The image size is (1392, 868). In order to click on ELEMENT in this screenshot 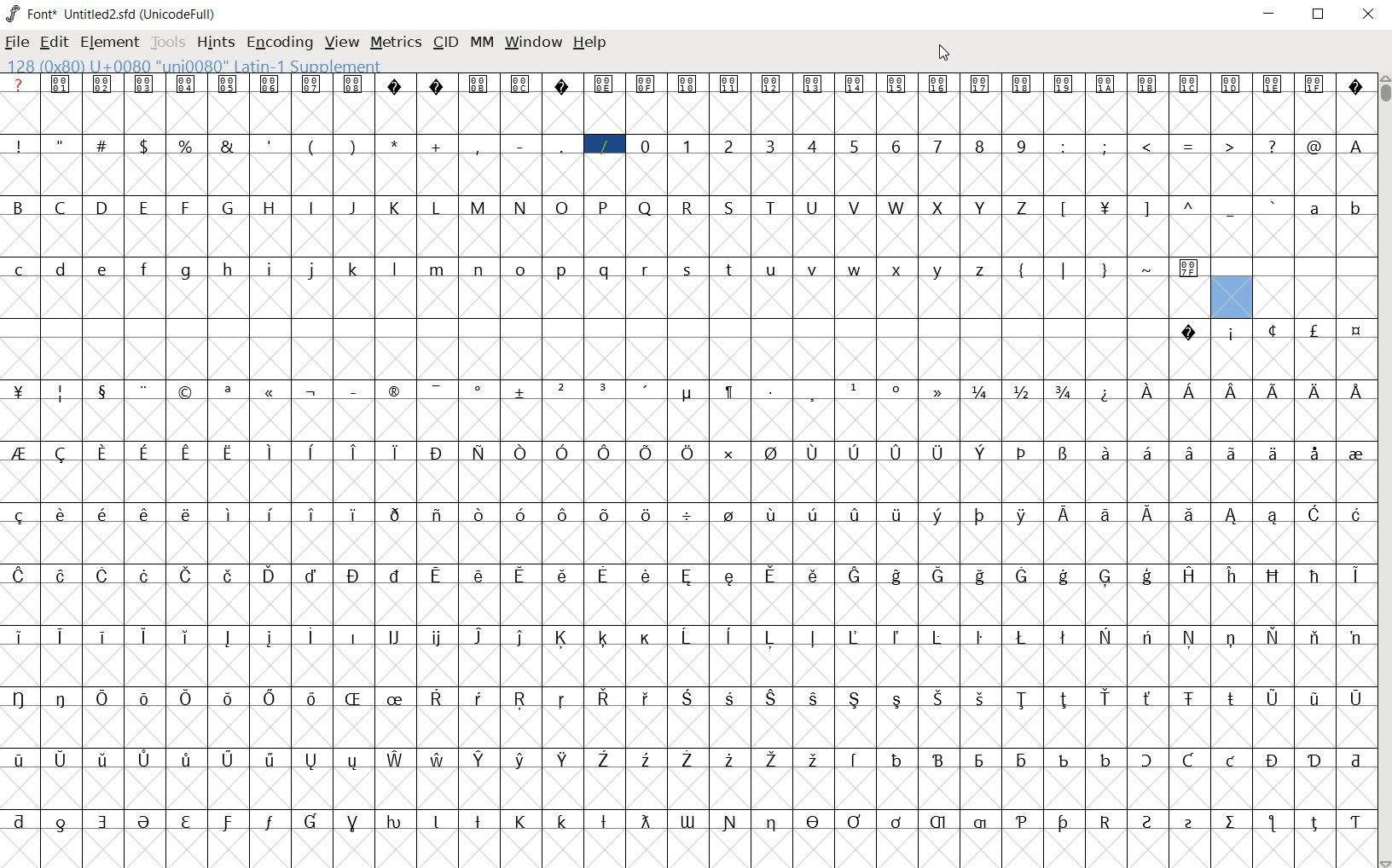, I will do `click(111, 43)`.